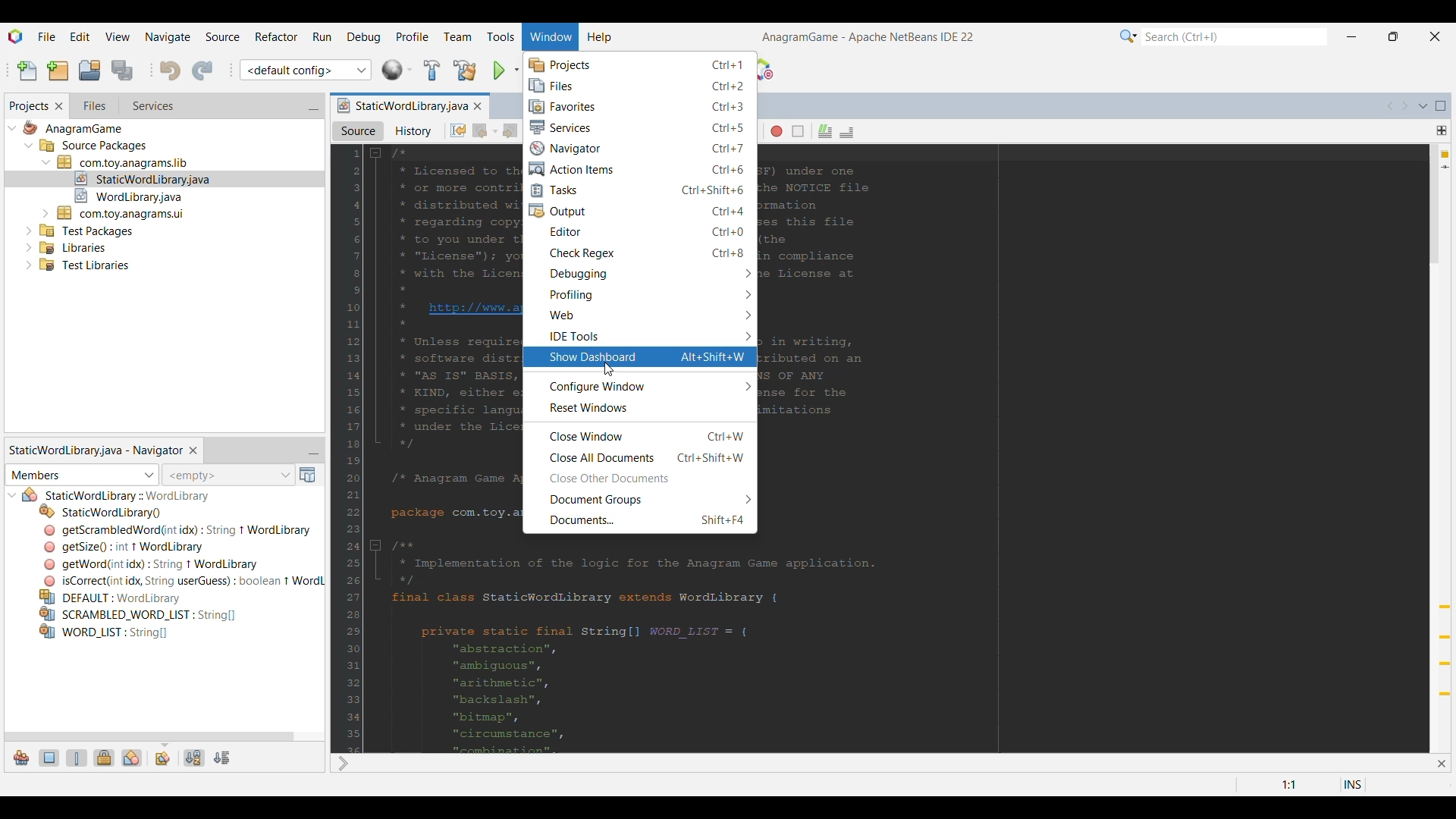  What do you see at coordinates (135, 194) in the screenshot?
I see `` at bounding box center [135, 194].